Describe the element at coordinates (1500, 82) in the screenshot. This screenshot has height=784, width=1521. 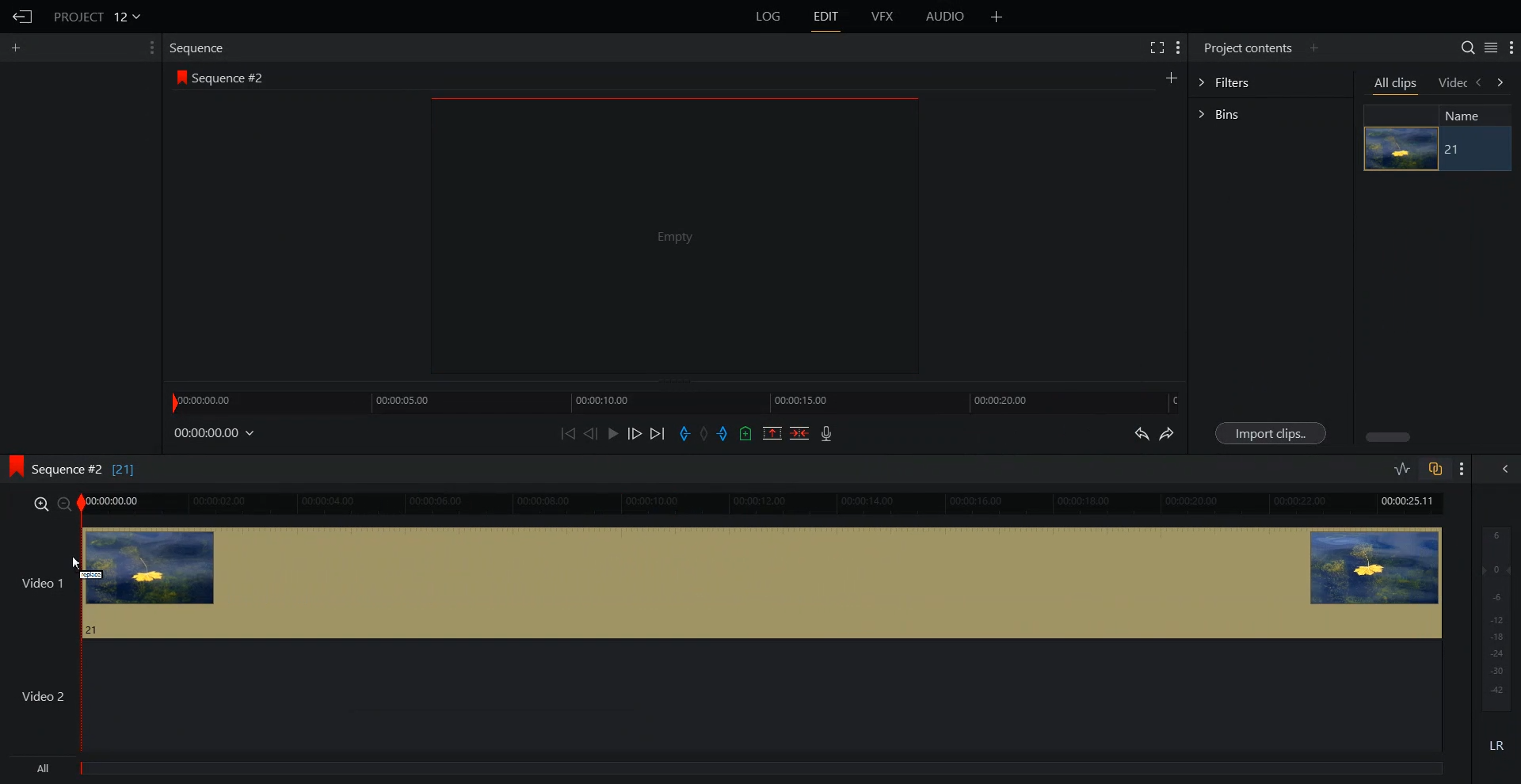
I see `Move forwaars` at that location.